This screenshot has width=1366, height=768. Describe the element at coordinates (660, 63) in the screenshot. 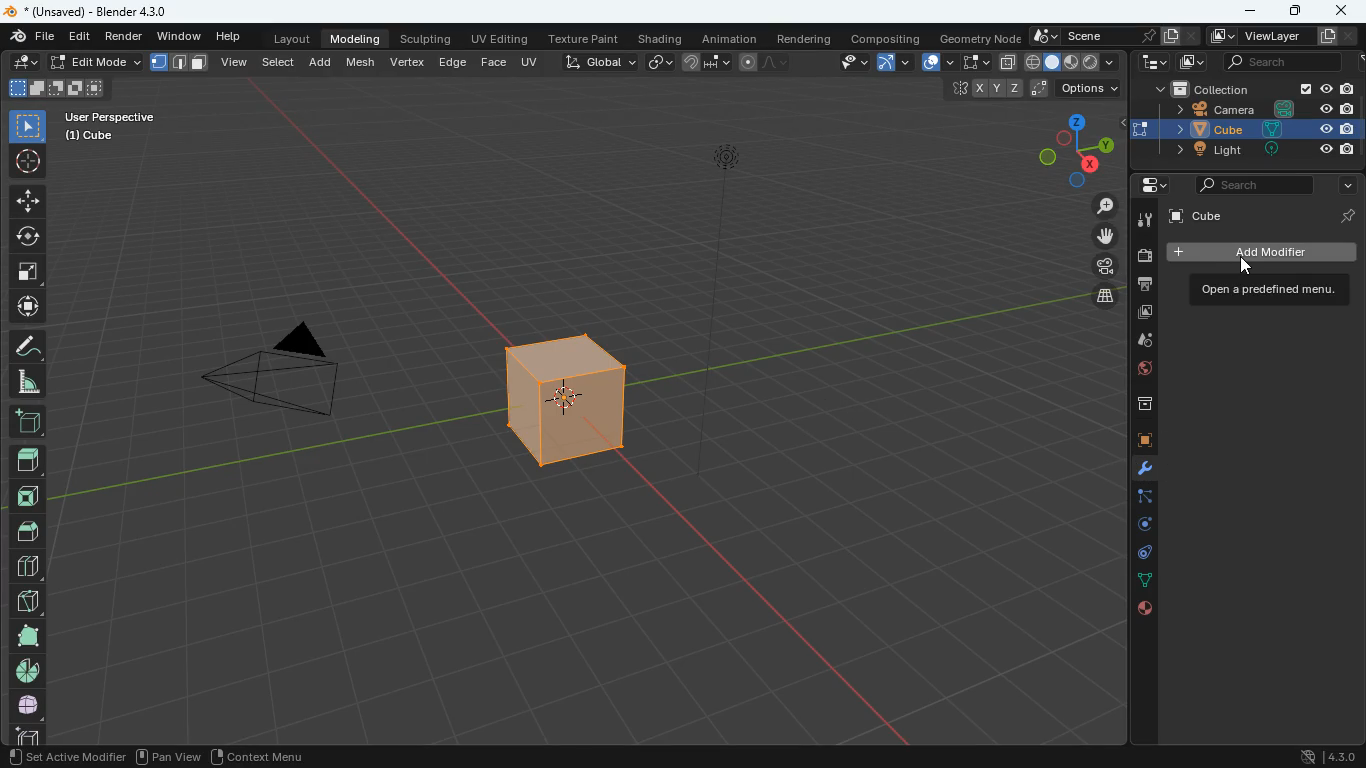

I see `link` at that location.